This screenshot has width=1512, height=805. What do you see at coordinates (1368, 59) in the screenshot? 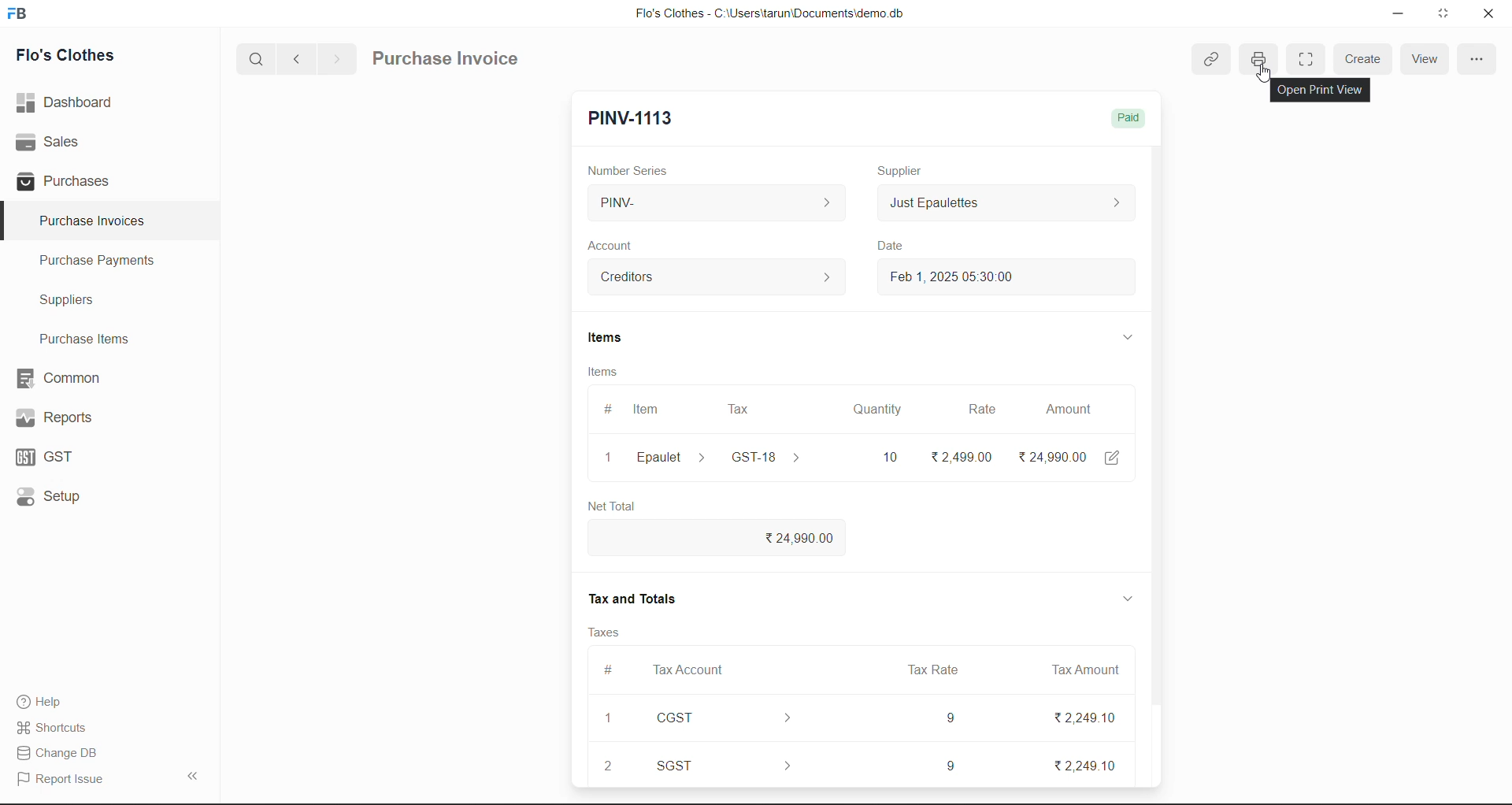
I see `create` at bounding box center [1368, 59].